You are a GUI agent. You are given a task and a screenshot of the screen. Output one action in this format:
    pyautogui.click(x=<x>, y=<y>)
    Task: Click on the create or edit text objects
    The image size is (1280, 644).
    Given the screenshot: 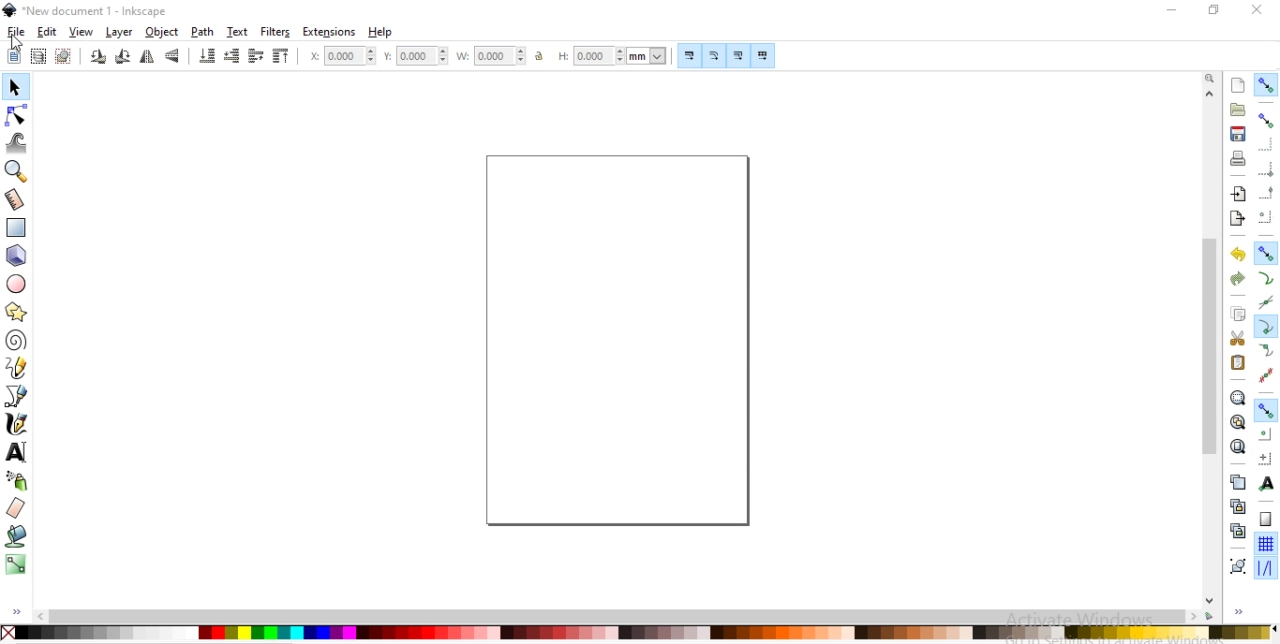 What is the action you would take?
    pyautogui.click(x=17, y=451)
    